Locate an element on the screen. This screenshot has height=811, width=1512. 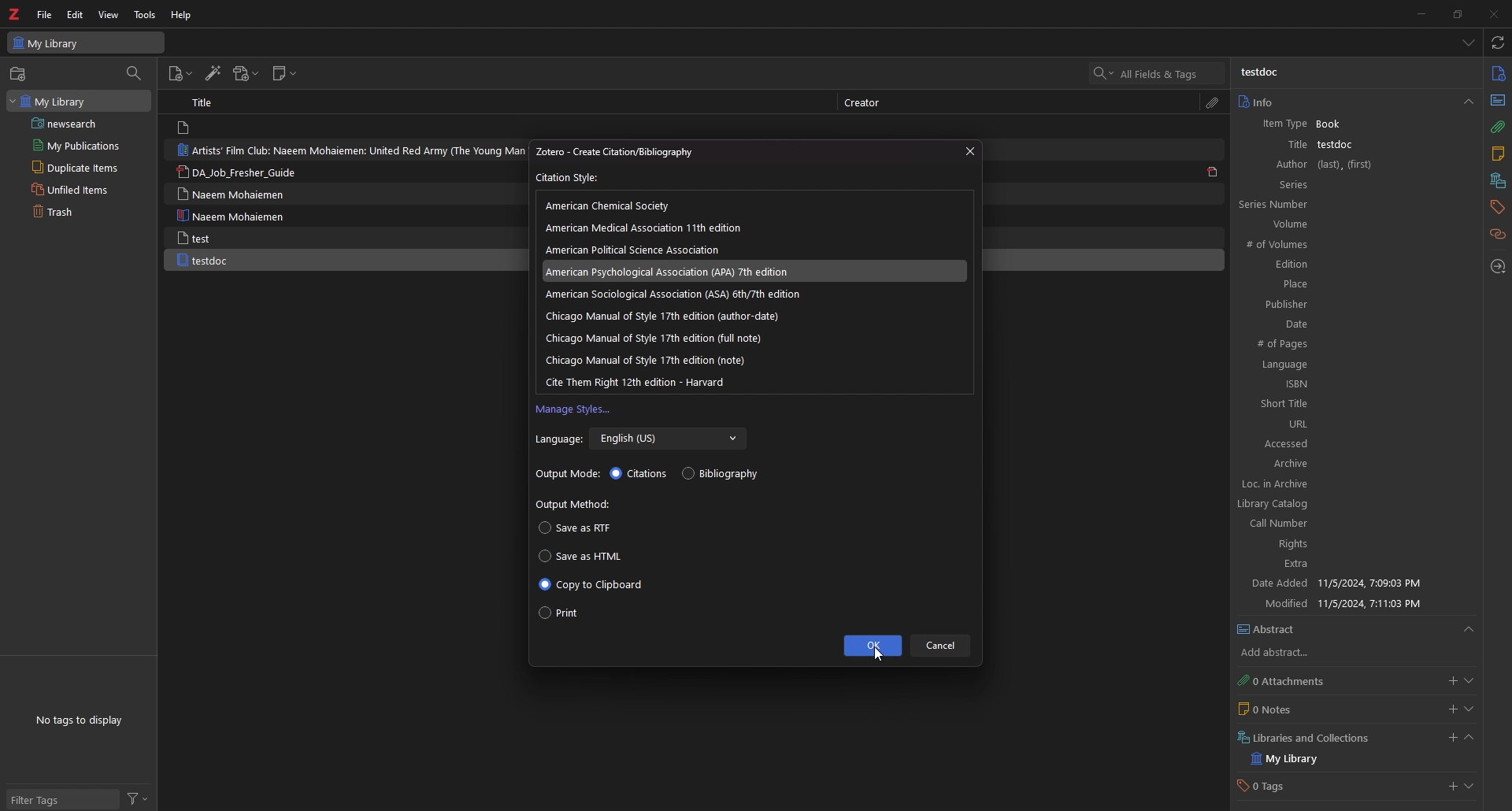
new collection is located at coordinates (20, 74).